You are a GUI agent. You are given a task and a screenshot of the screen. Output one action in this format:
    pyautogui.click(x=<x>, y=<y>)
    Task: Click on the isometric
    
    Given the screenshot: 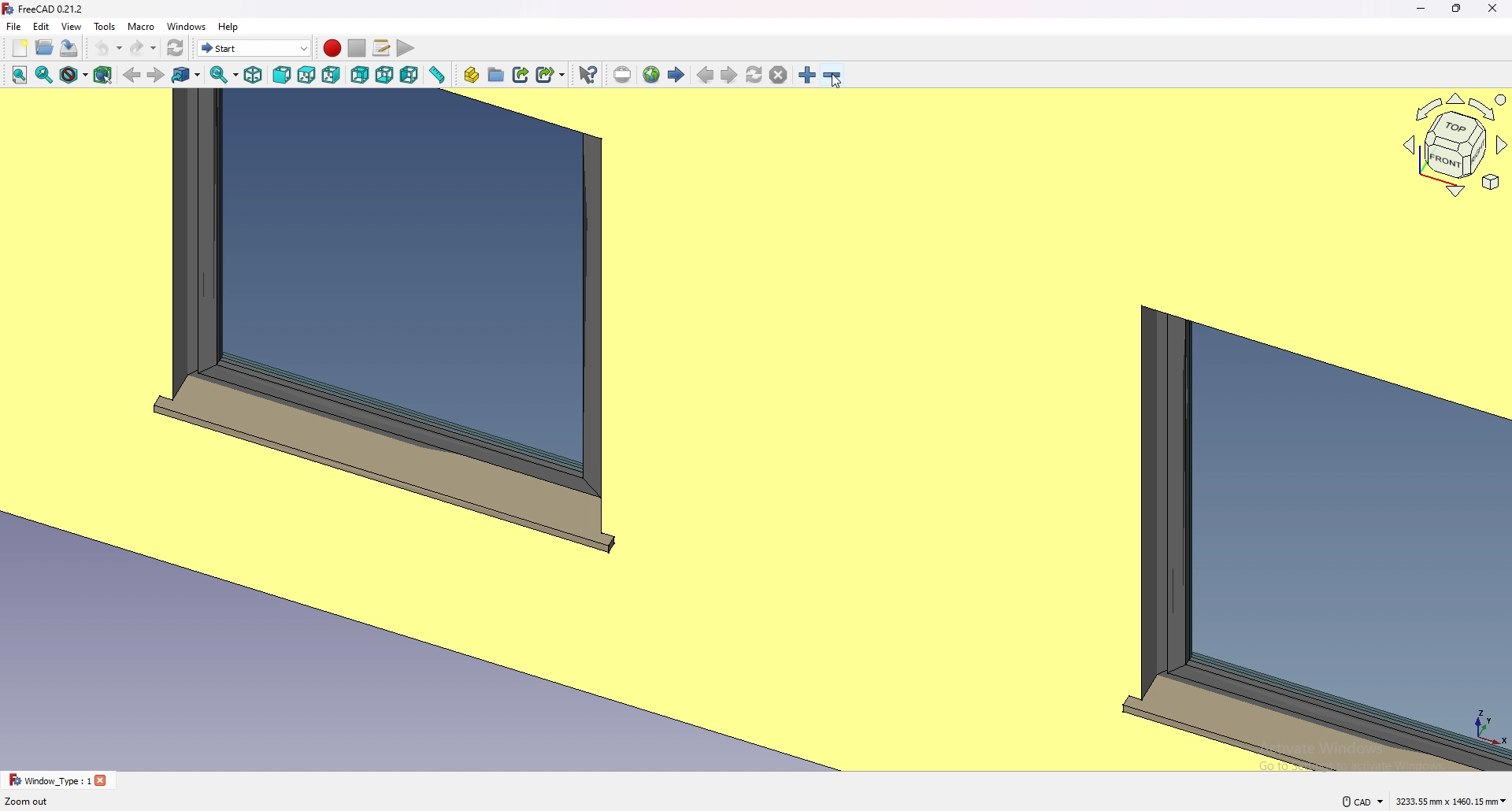 What is the action you would take?
    pyautogui.click(x=253, y=75)
    